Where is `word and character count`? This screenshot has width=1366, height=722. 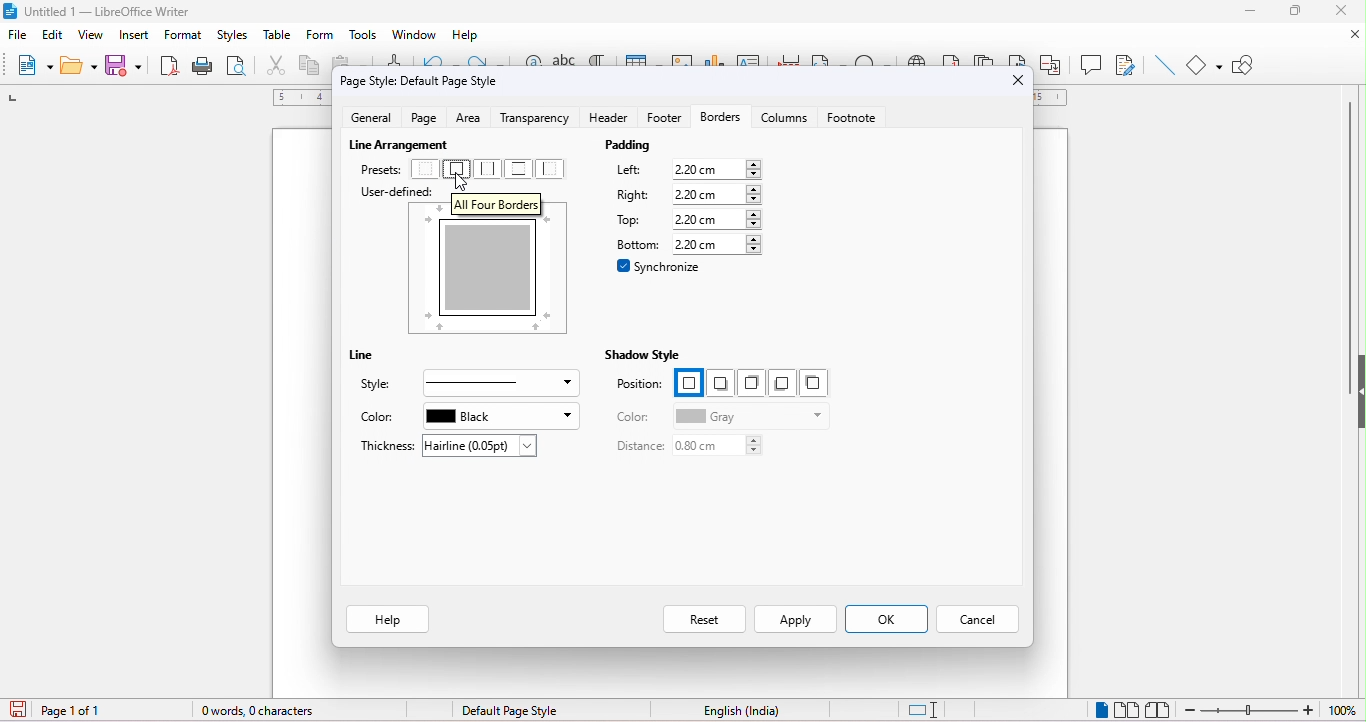 word and character count is located at coordinates (257, 713).